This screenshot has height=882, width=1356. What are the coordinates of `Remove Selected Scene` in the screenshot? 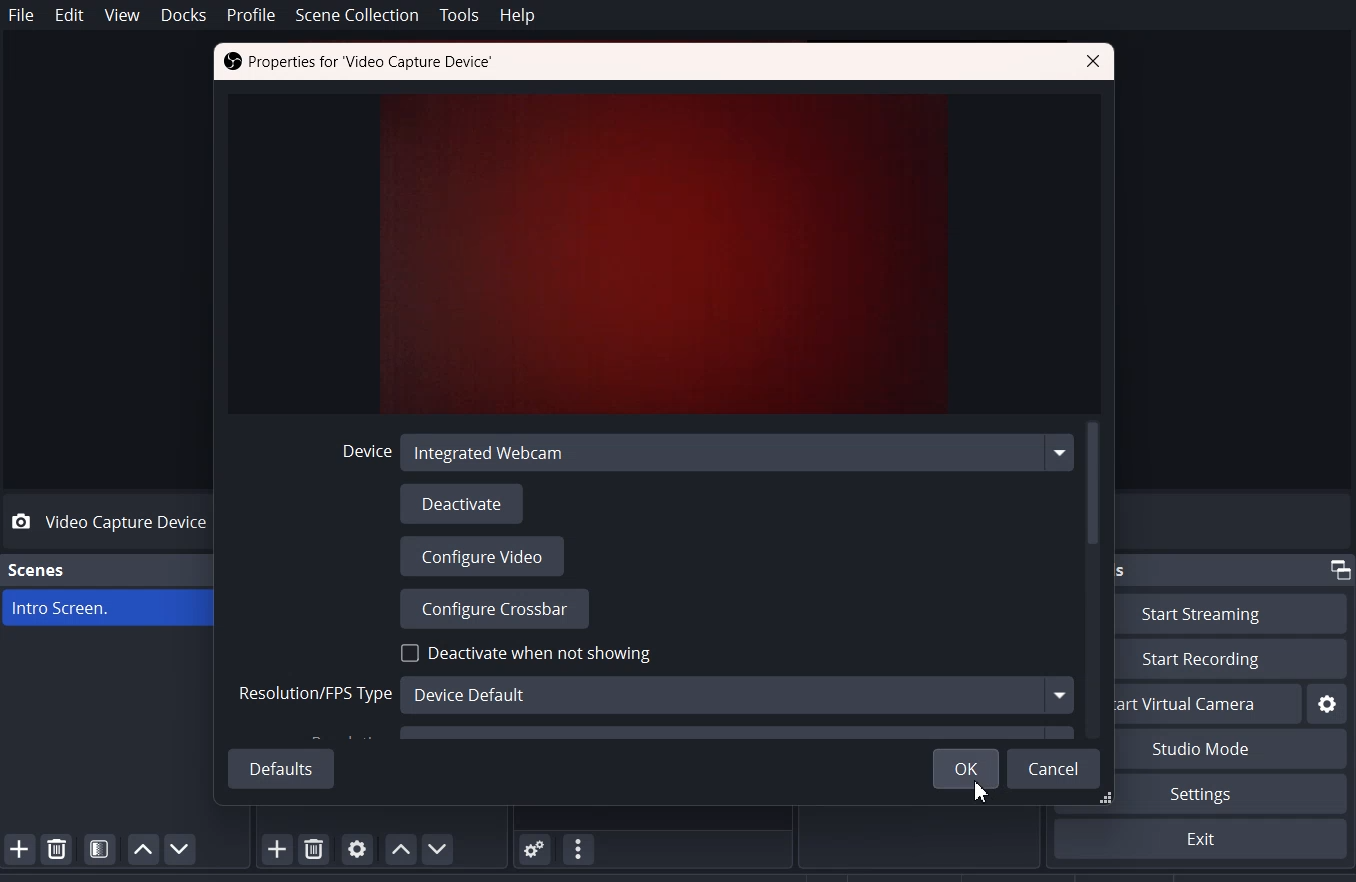 It's located at (57, 847).